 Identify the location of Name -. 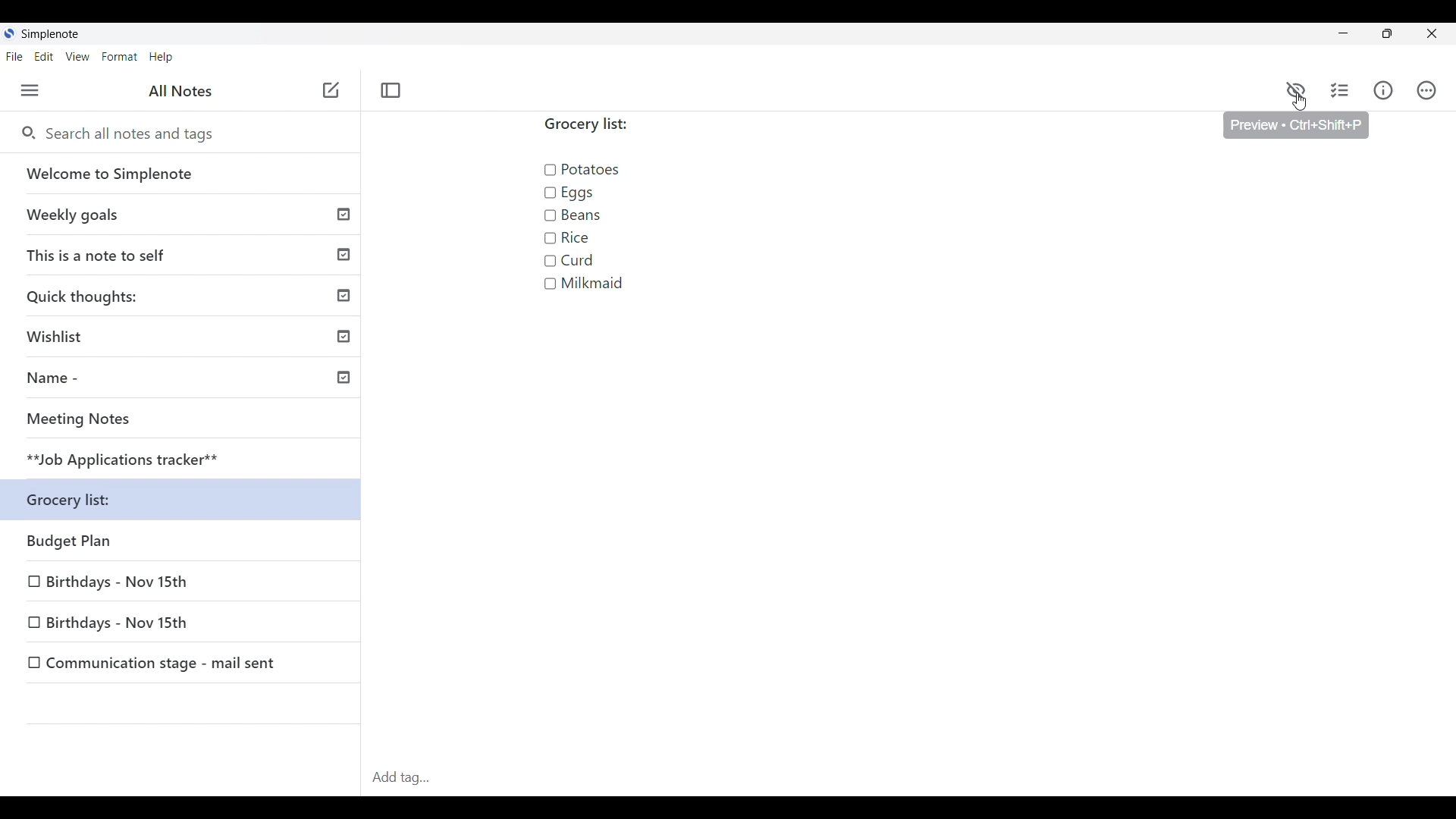
(187, 380).